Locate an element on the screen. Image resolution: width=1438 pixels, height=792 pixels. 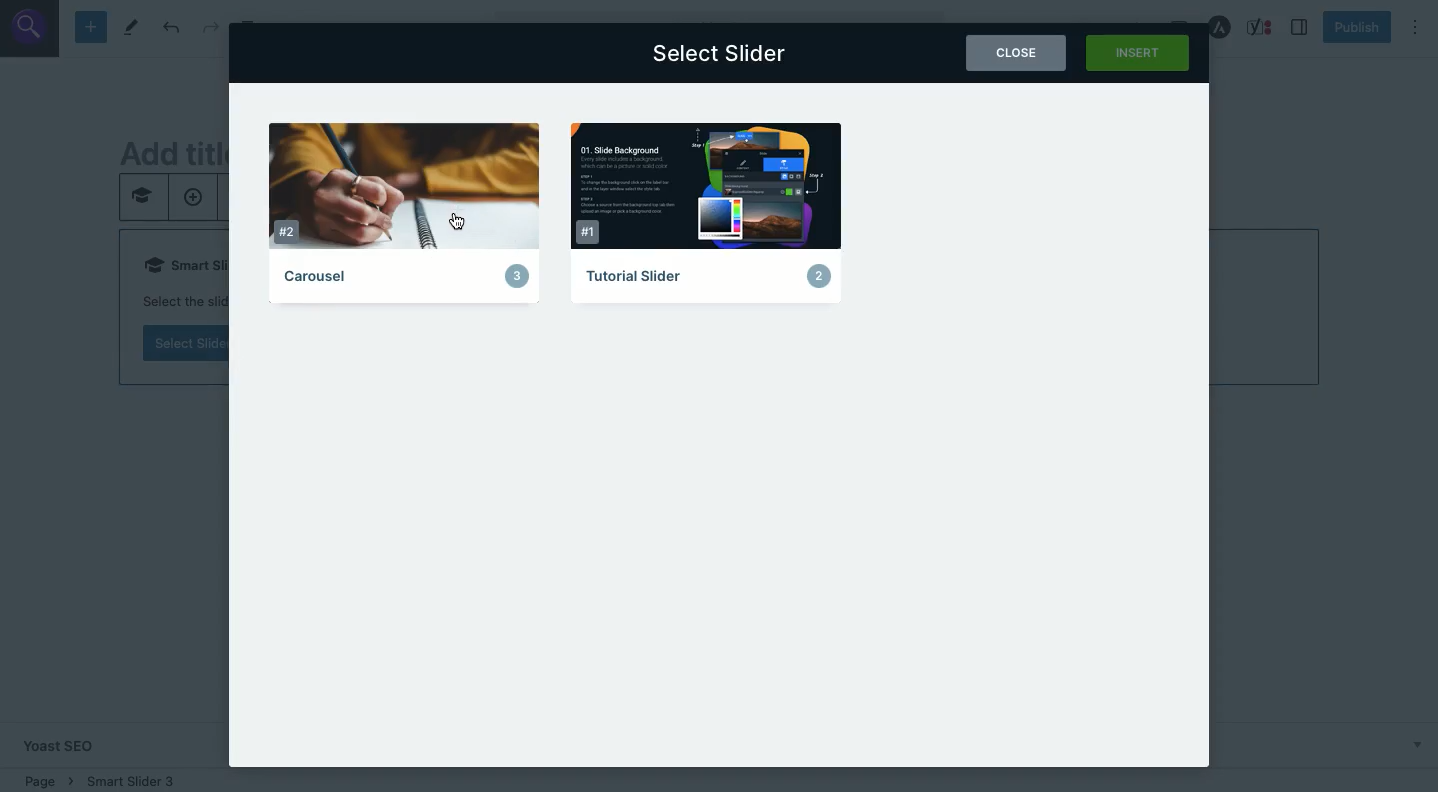
Carousel is located at coordinates (412, 215).